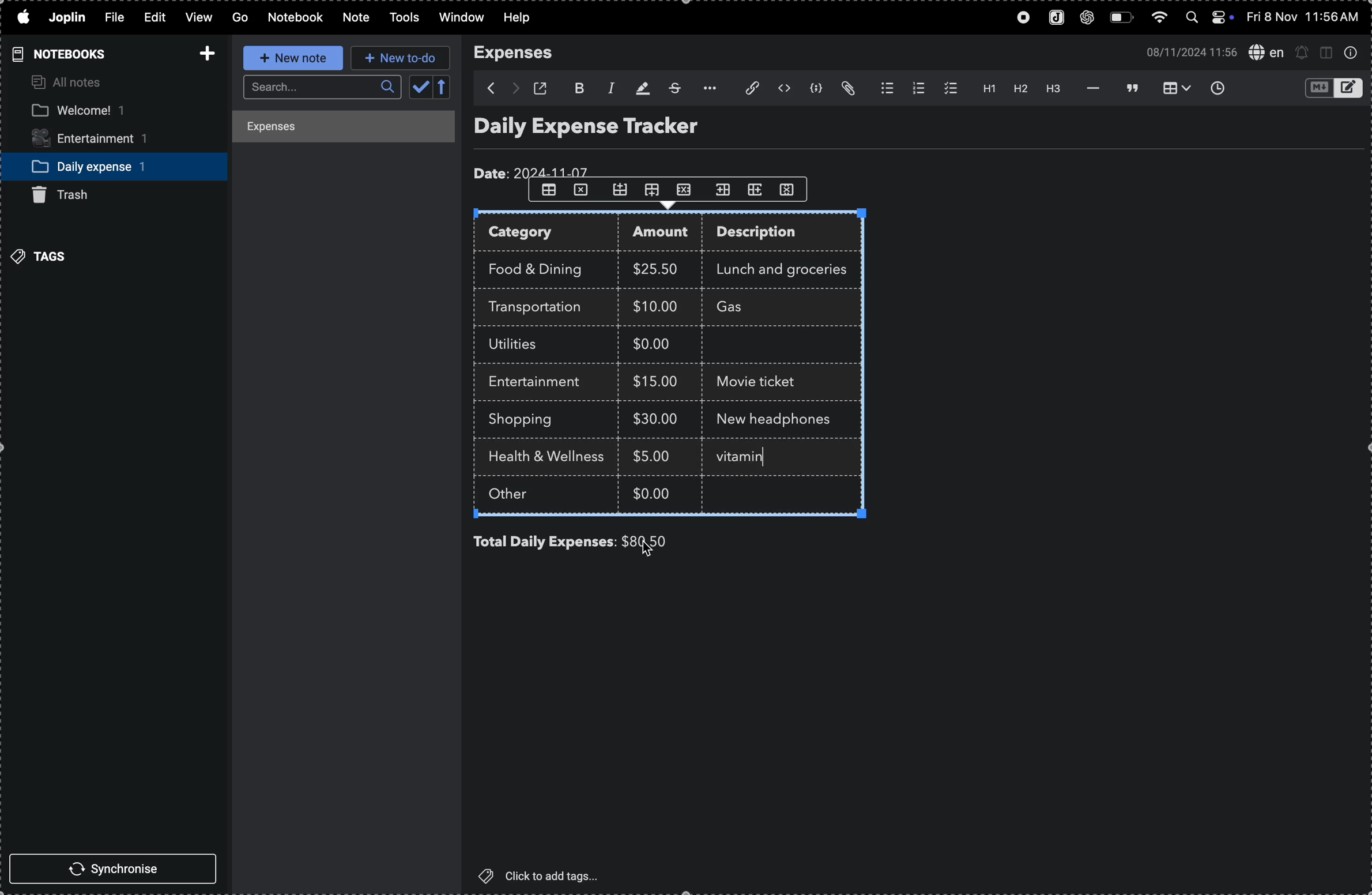 The height and width of the screenshot is (895, 1372). What do you see at coordinates (105, 166) in the screenshot?
I see `daily expense notebook` at bounding box center [105, 166].